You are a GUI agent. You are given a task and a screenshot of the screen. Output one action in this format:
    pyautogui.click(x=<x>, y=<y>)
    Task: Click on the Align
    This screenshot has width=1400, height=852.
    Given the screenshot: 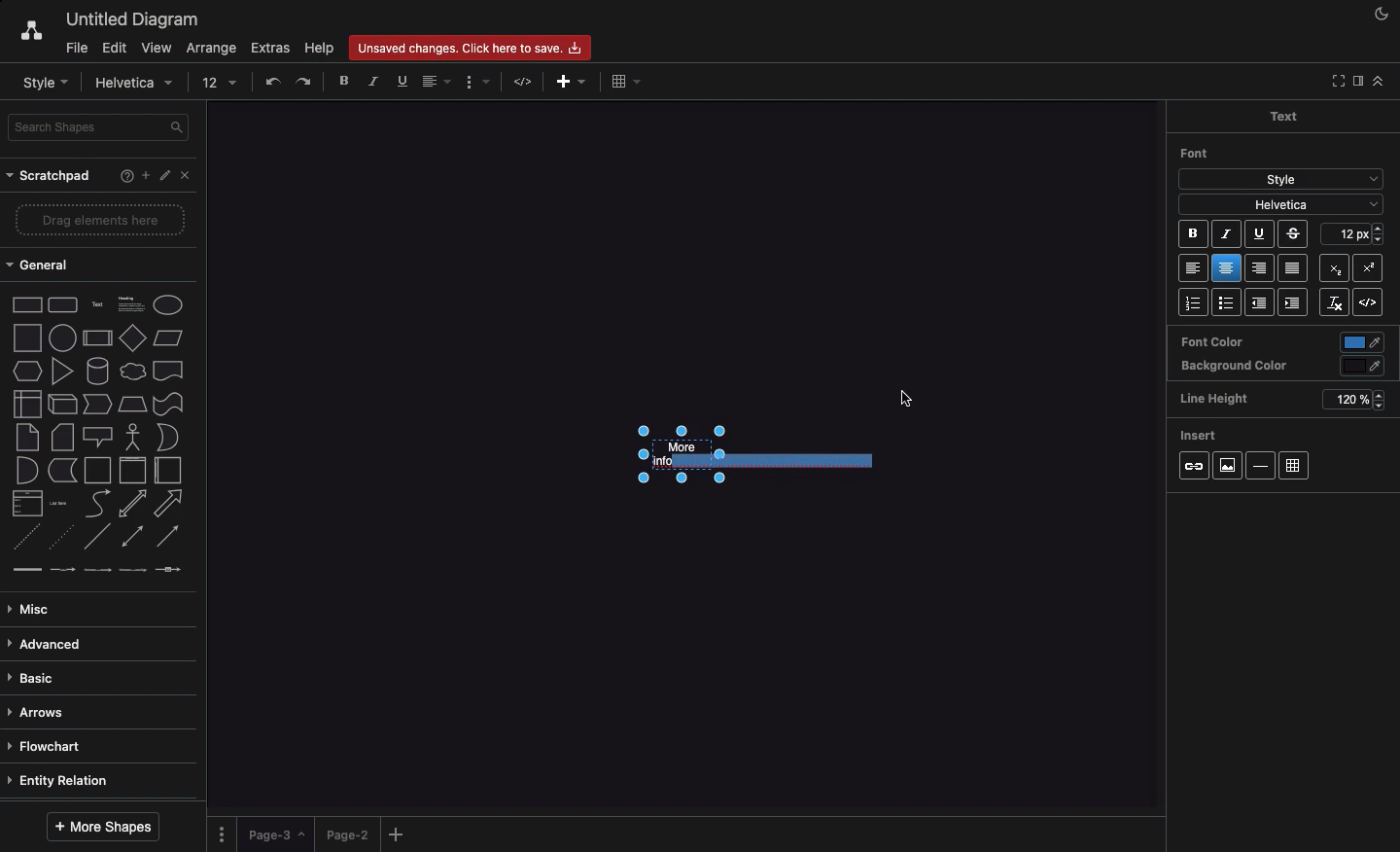 What is the action you would take?
    pyautogui.click(x=438, y=84)
    